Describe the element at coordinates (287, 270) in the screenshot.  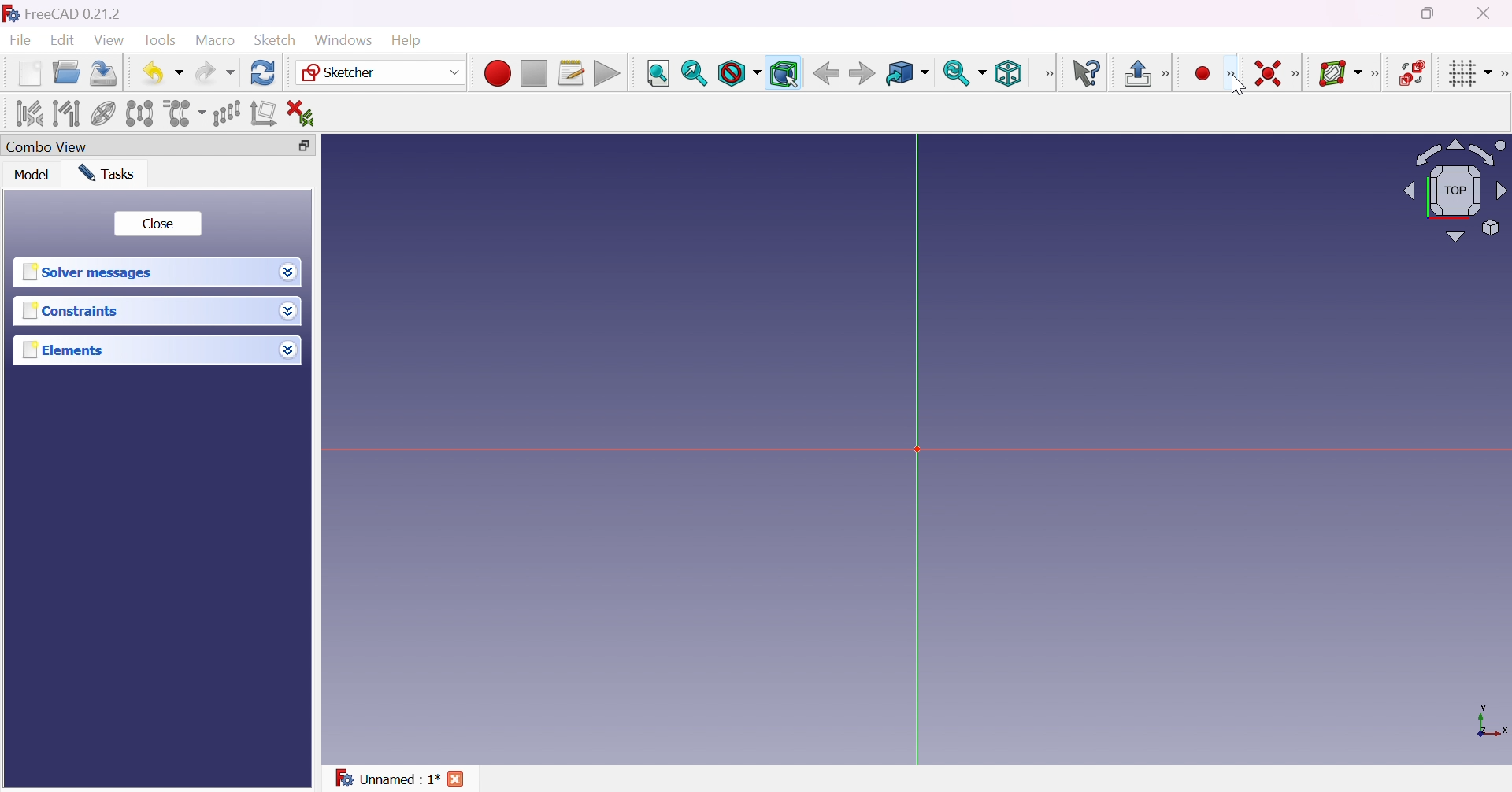
I see `Drop down` at that location.